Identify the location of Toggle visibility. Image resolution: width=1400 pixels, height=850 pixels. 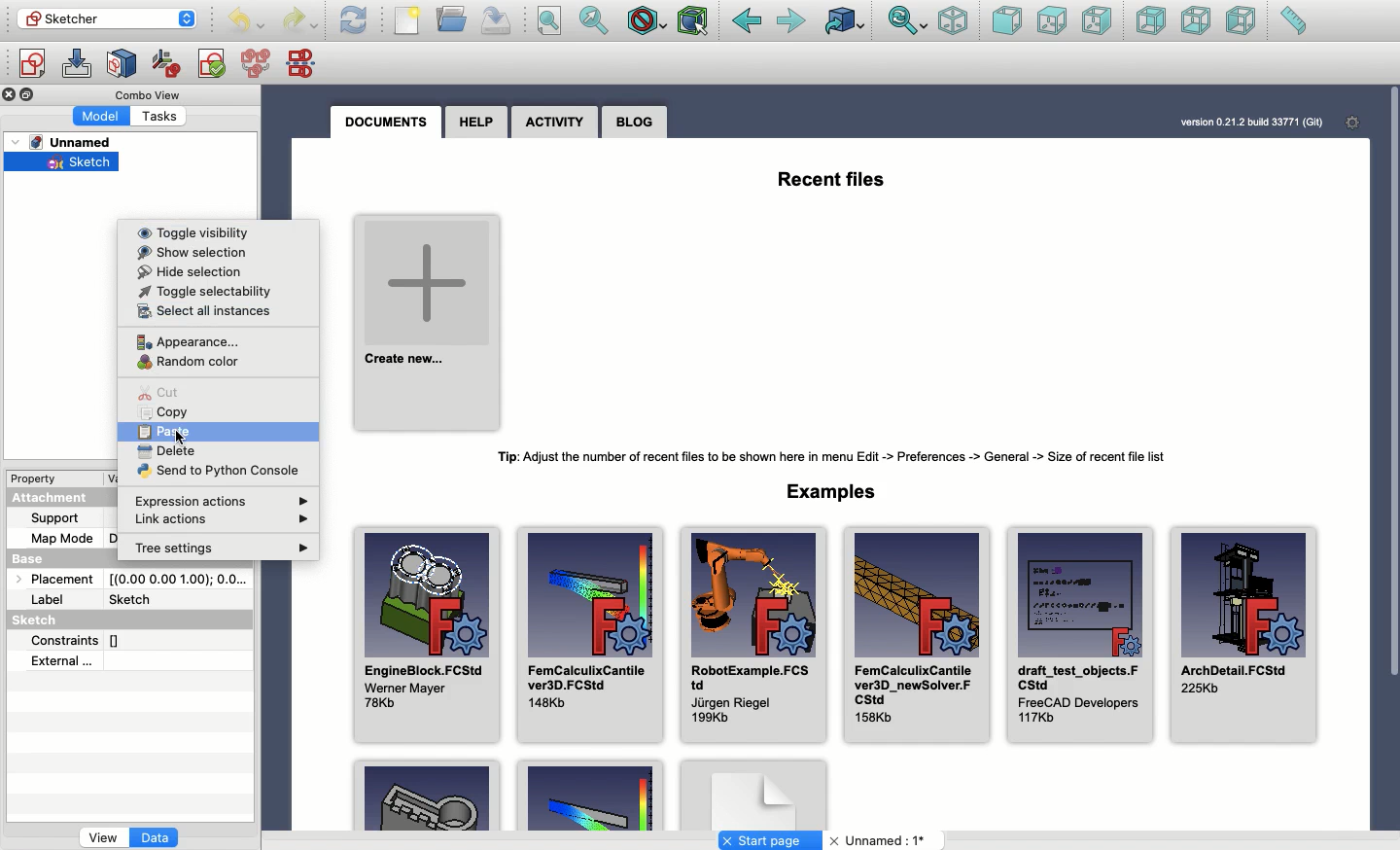
(179, 230).